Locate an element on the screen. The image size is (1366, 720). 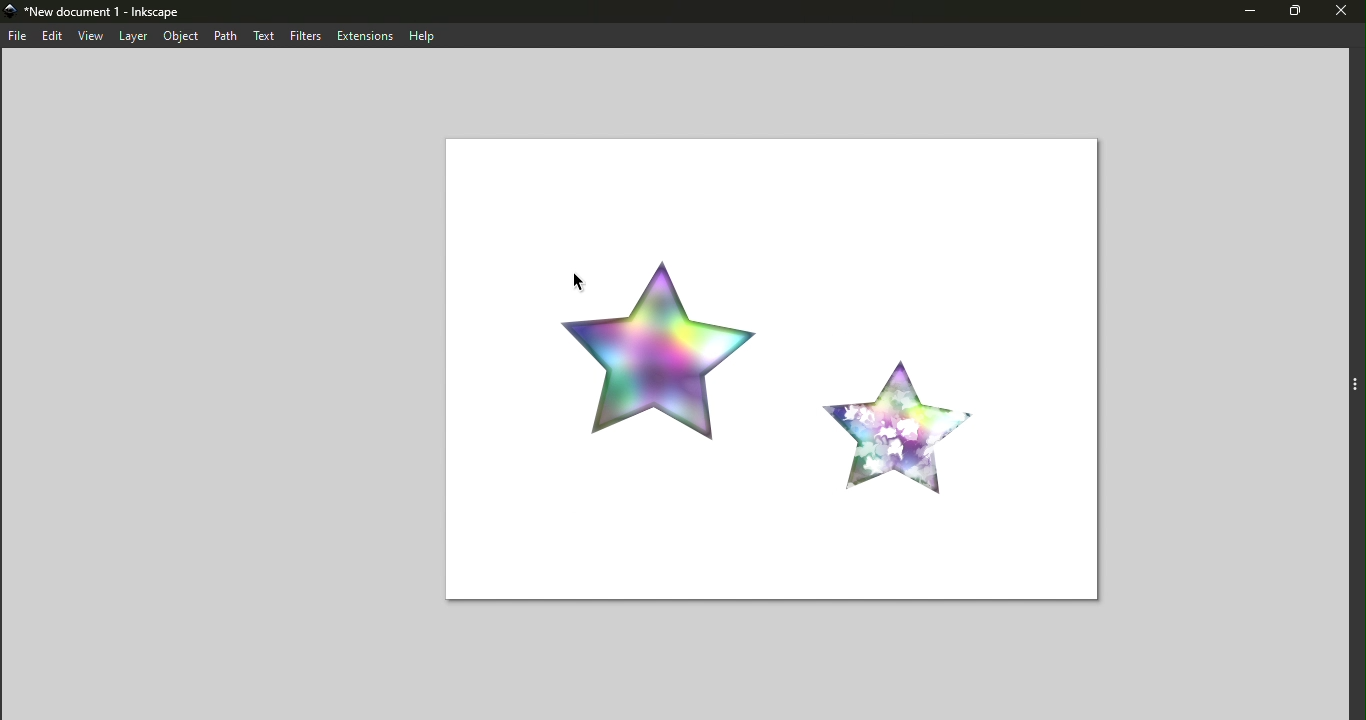
edit is located at coordinates (50, 37).